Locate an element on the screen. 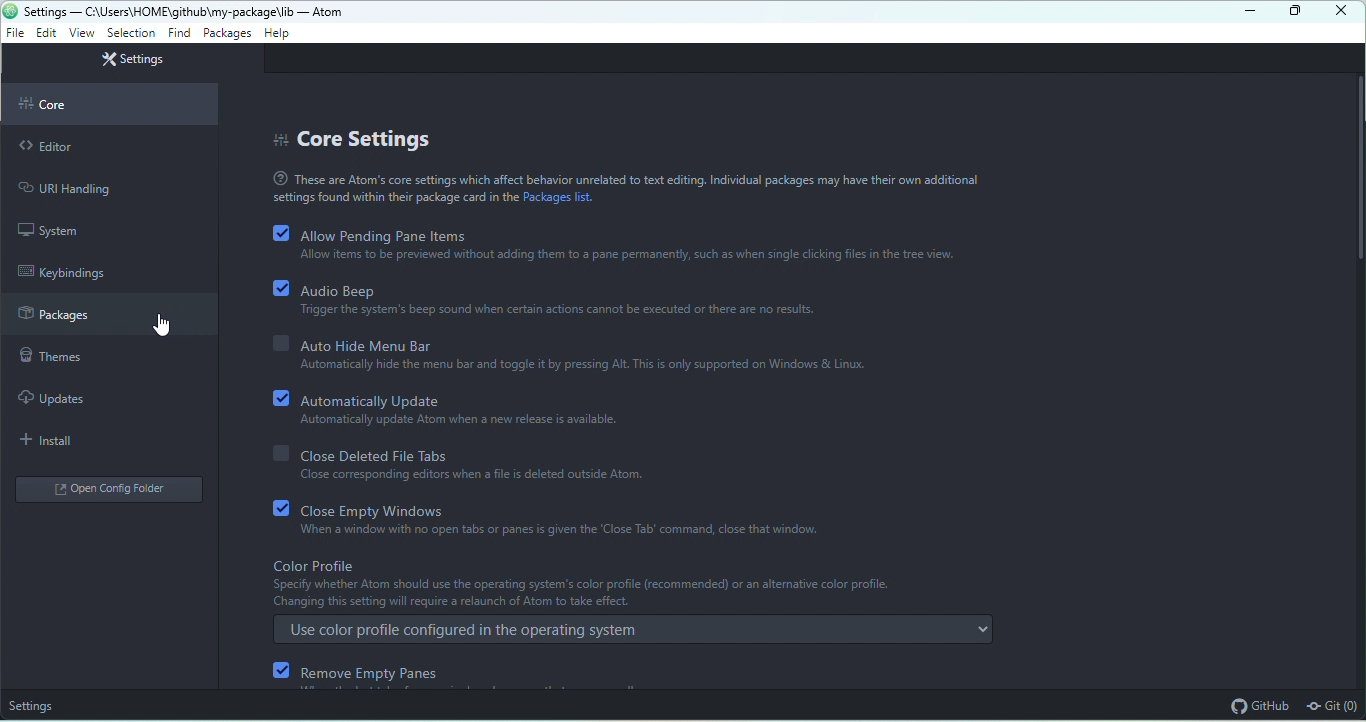  file is located at coordinates (15, 34).